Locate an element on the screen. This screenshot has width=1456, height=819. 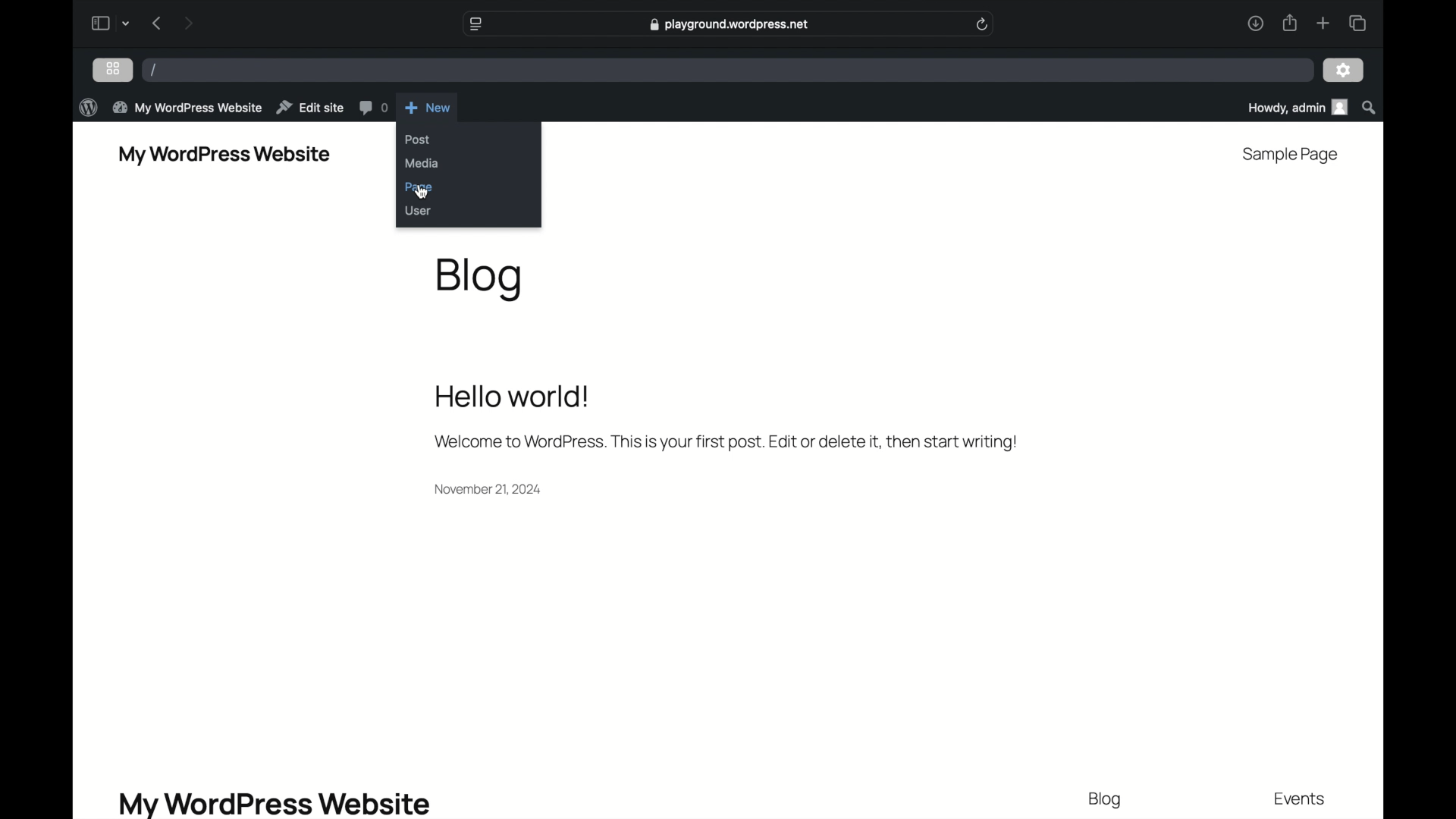
share is located at coordinates (1290, 24).